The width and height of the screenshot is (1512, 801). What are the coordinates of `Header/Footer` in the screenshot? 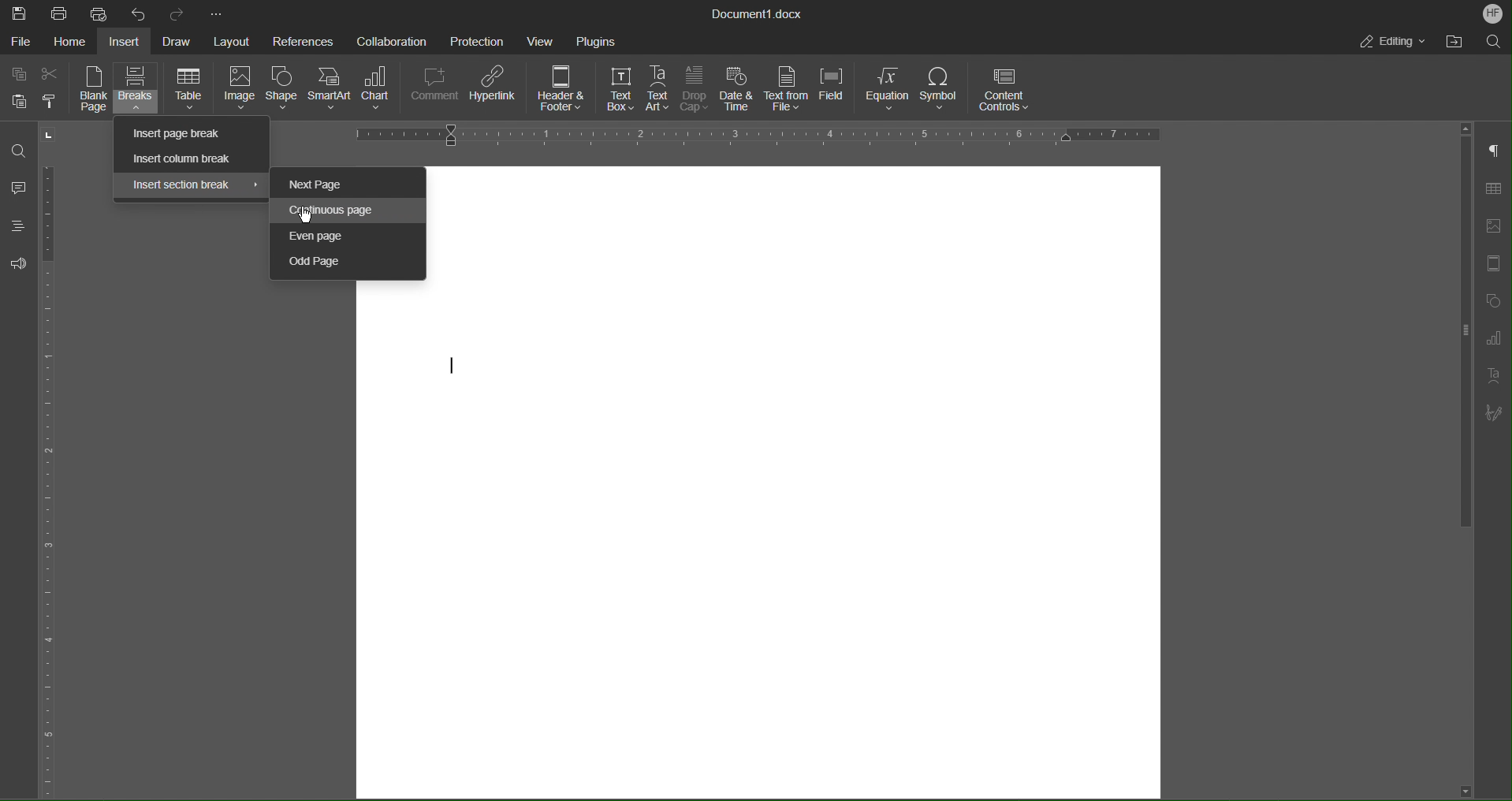 It's located at (1493, 263).